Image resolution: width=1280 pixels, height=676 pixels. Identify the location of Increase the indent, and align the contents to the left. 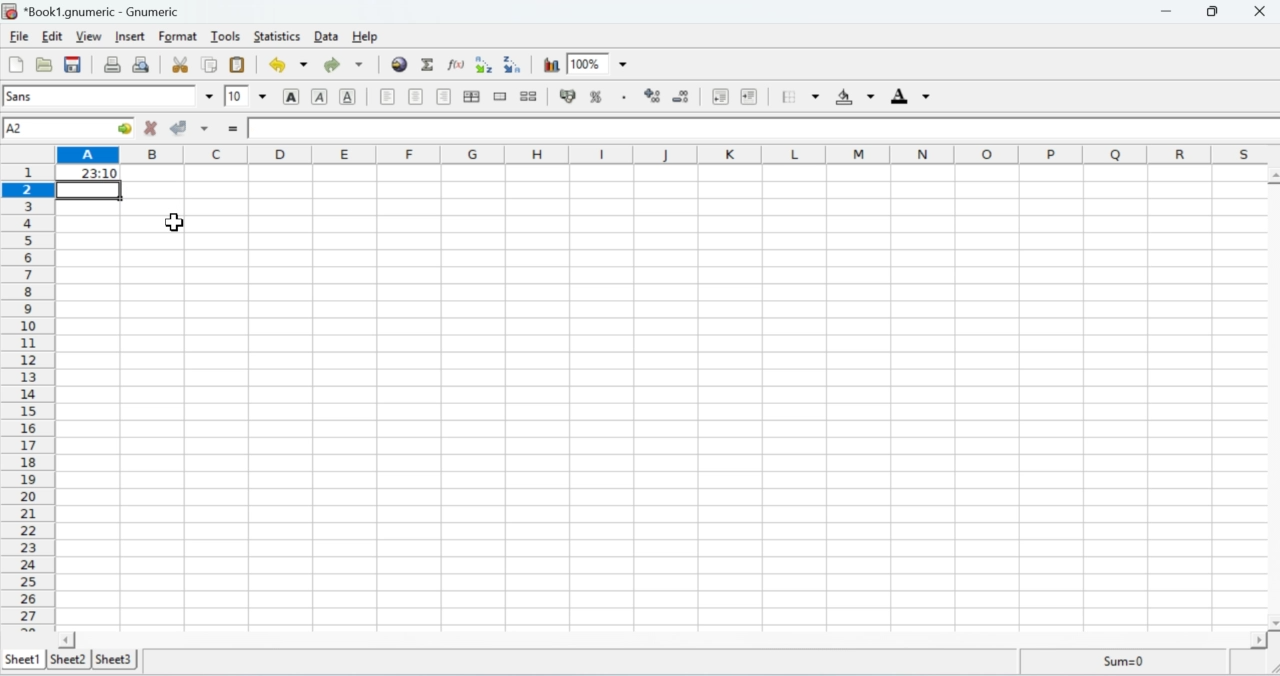
(750, 96).